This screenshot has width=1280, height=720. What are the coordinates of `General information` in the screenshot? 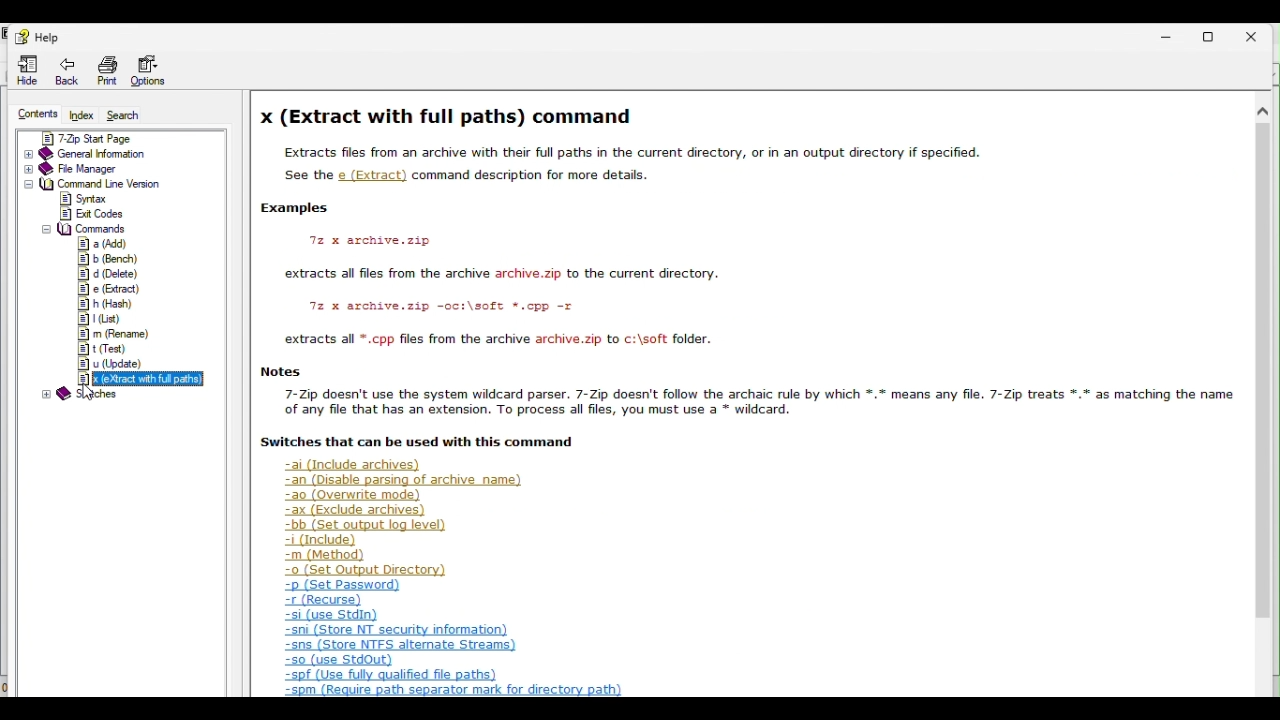 It's located at (97, 154).